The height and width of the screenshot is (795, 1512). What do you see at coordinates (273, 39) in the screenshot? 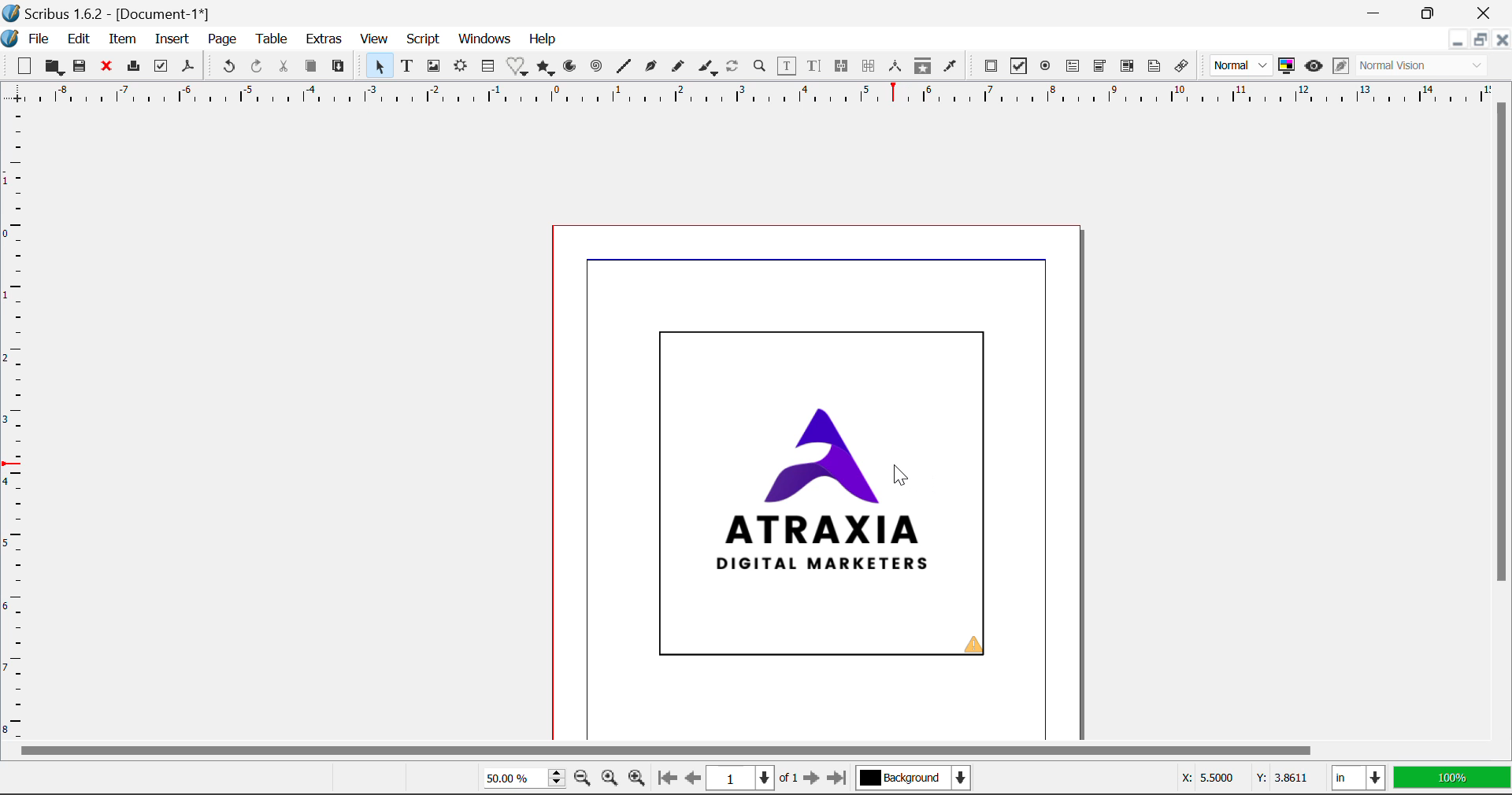
I see `Table` at bounding box center [273, 39].